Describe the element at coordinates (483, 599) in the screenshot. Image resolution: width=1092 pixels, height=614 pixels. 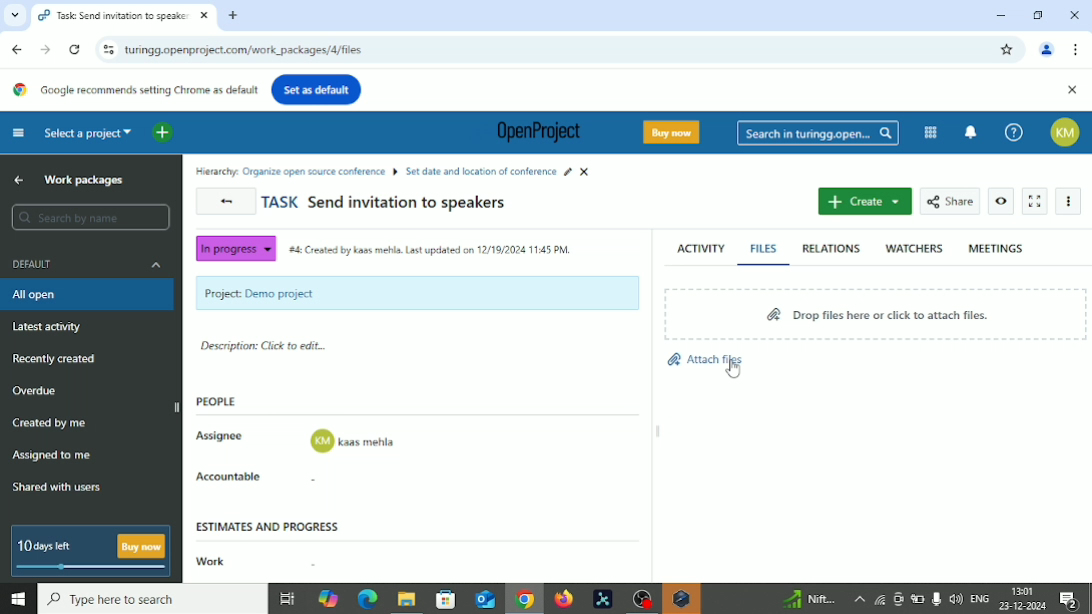
I see `Outlook` at that location.